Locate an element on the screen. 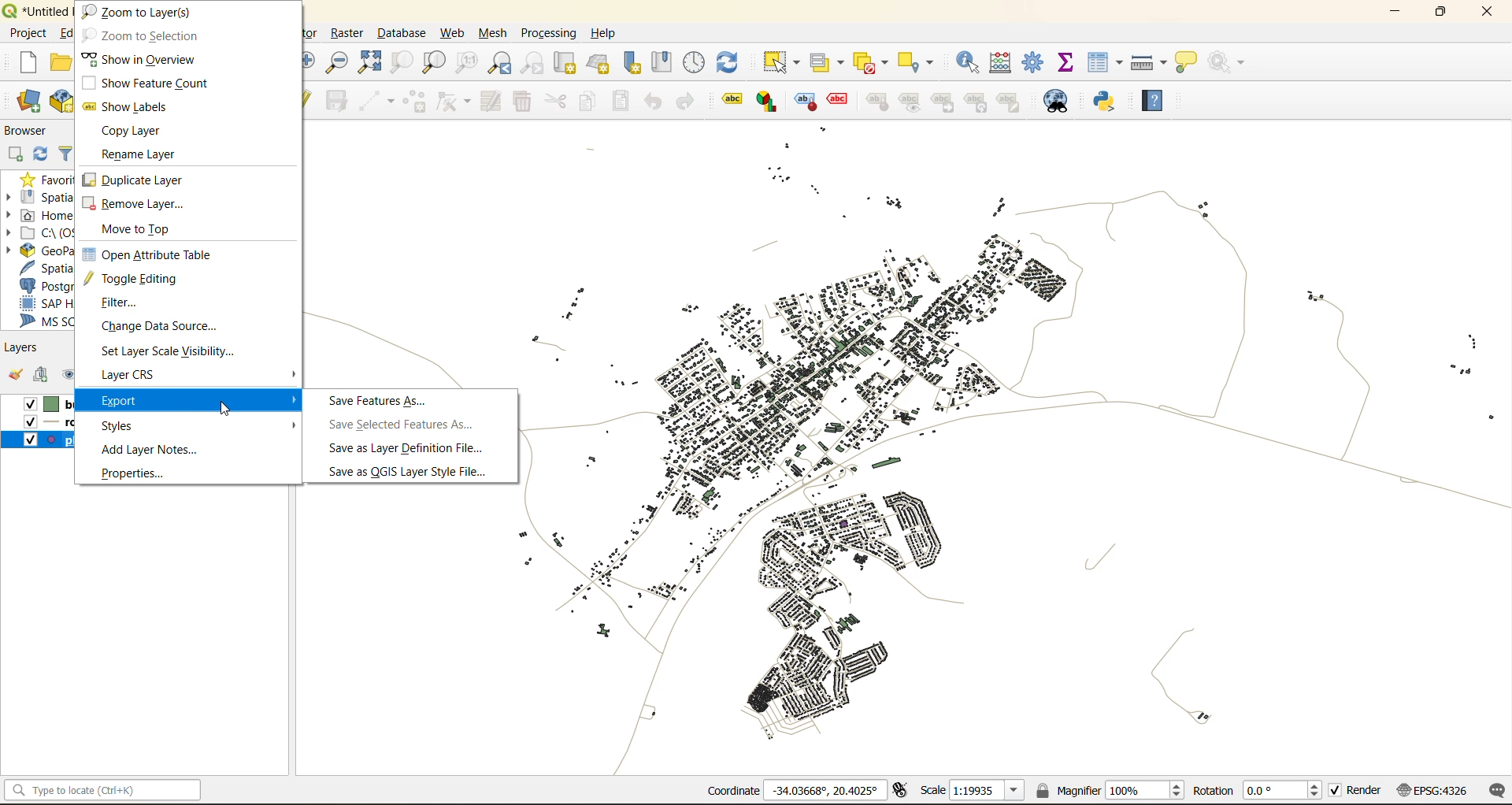 Image resolution: width=1512 pixels, height=805 pixels. modify is located at coordinates (493, 102).